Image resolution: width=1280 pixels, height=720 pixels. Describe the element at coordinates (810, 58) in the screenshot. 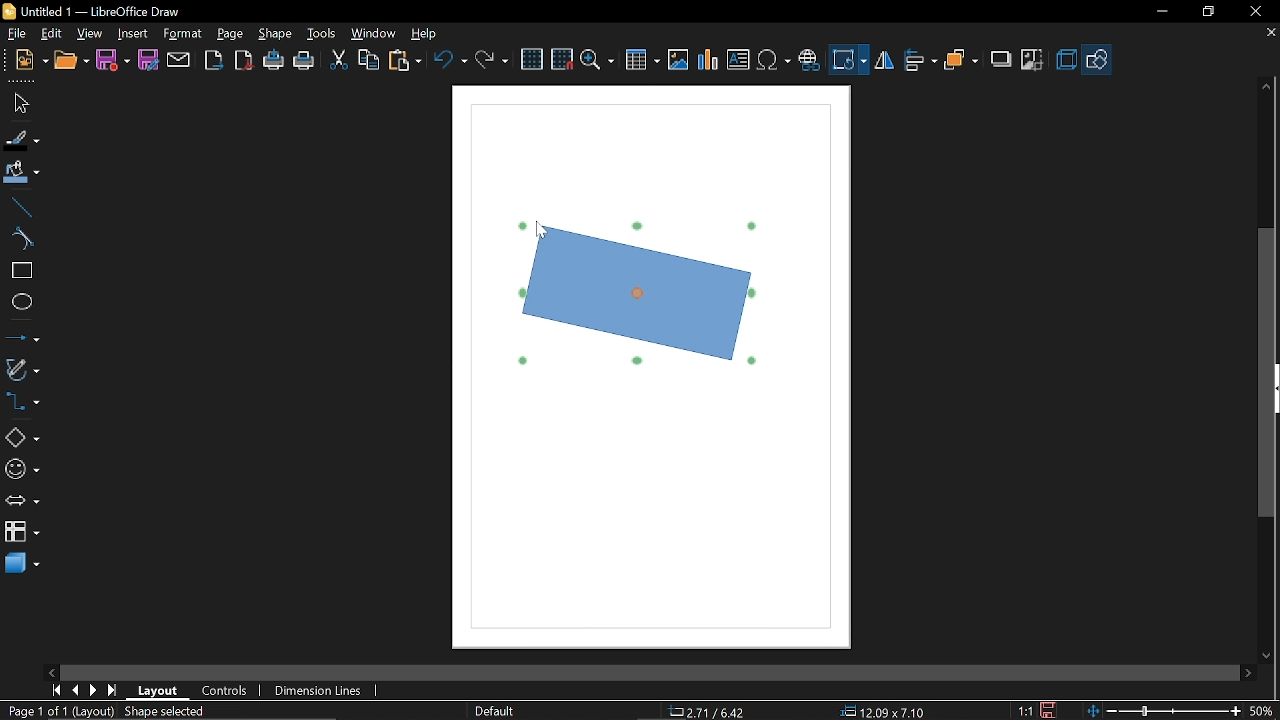

I see `Insert hyperlink` at that location.